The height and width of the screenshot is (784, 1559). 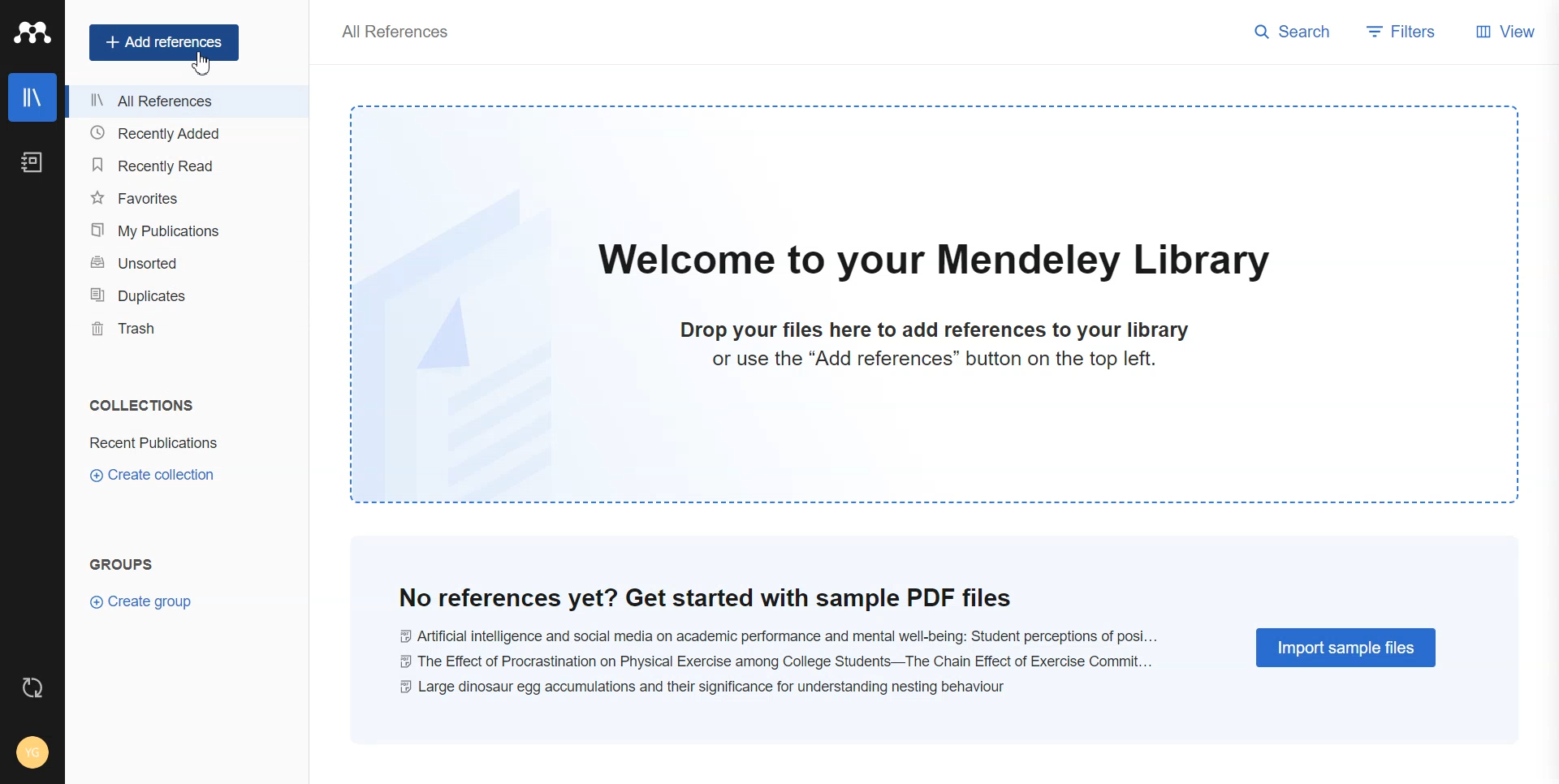 What do you see at coordinates (34, 162) in the screenshot?
I see `Notebook` at bounding box center [34, 162].